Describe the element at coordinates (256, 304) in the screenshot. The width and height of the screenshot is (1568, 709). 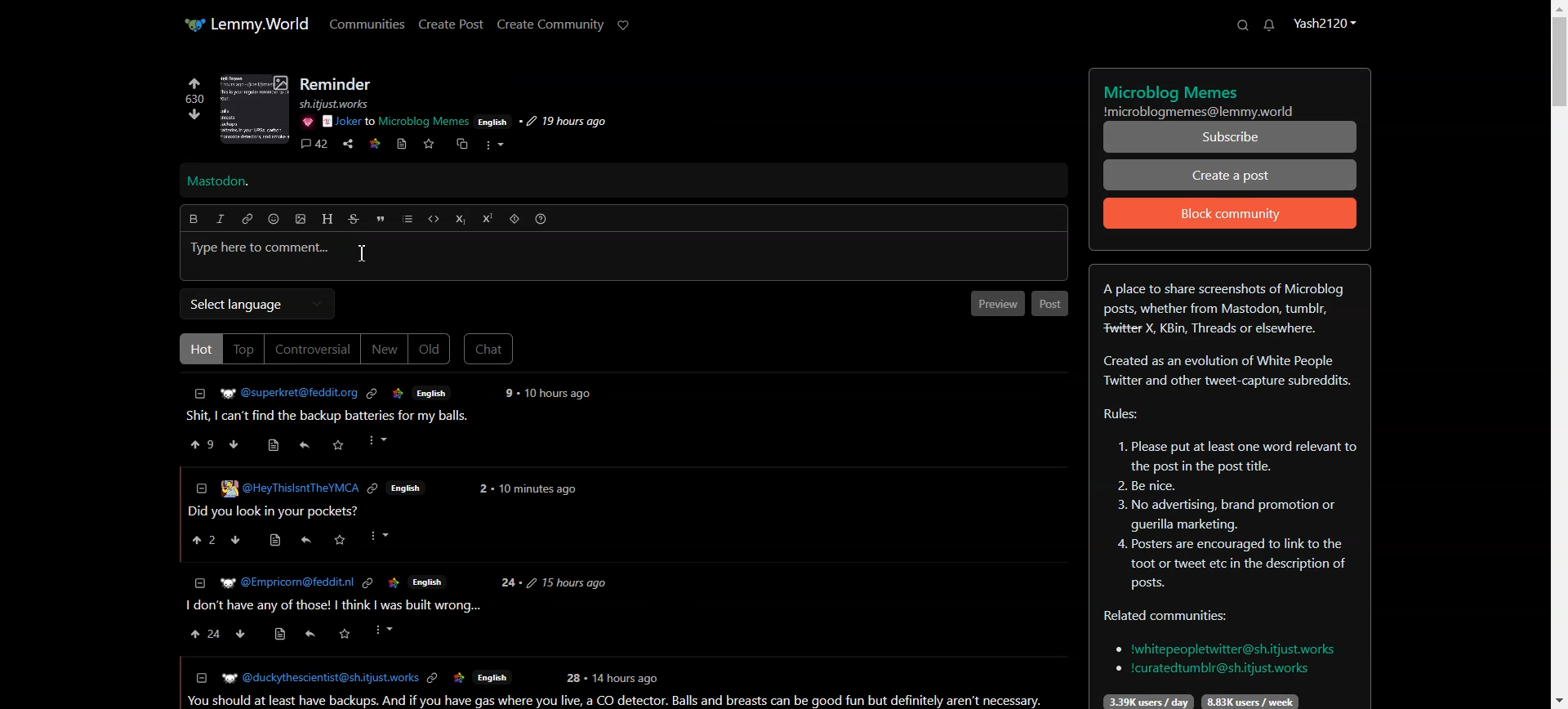
I see `Select language` at that location.